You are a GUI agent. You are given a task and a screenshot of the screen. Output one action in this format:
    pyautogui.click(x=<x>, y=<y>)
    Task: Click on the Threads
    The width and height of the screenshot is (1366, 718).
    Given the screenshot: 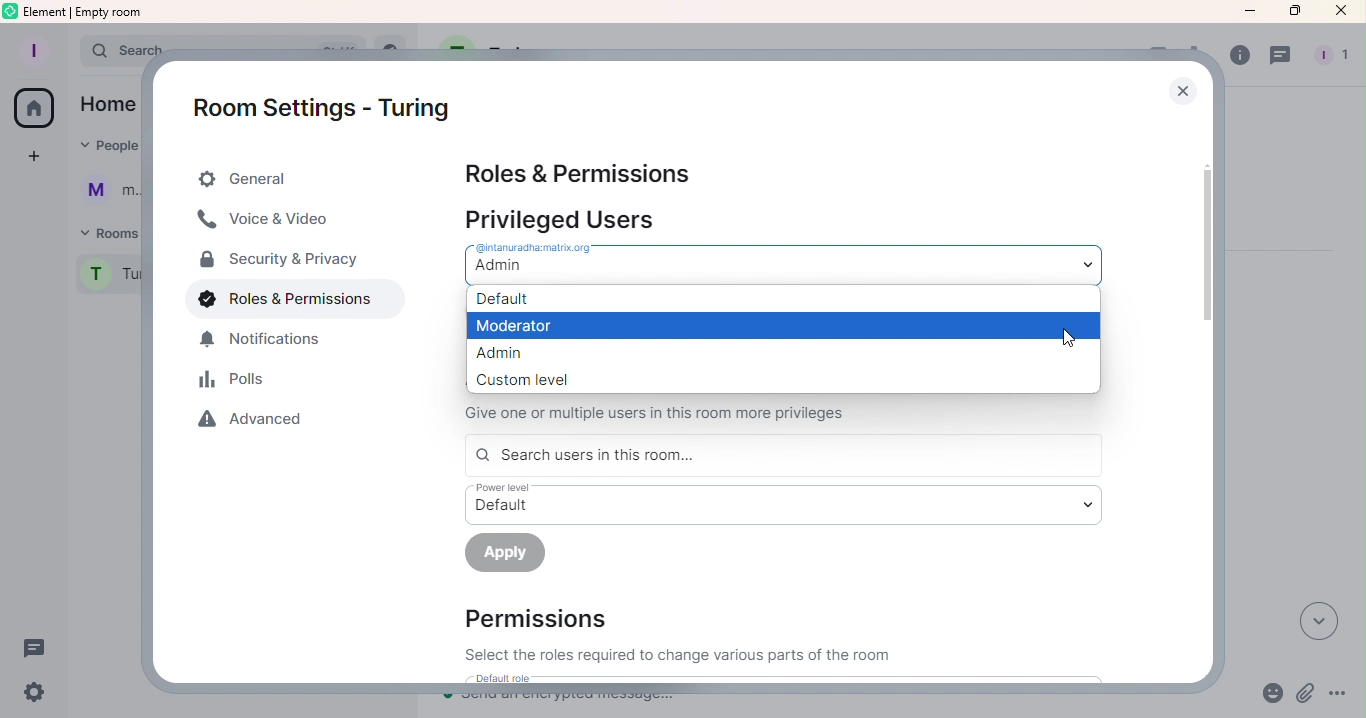 What is the action you would take?
    pyautogui.click(x=43, y=651)
    